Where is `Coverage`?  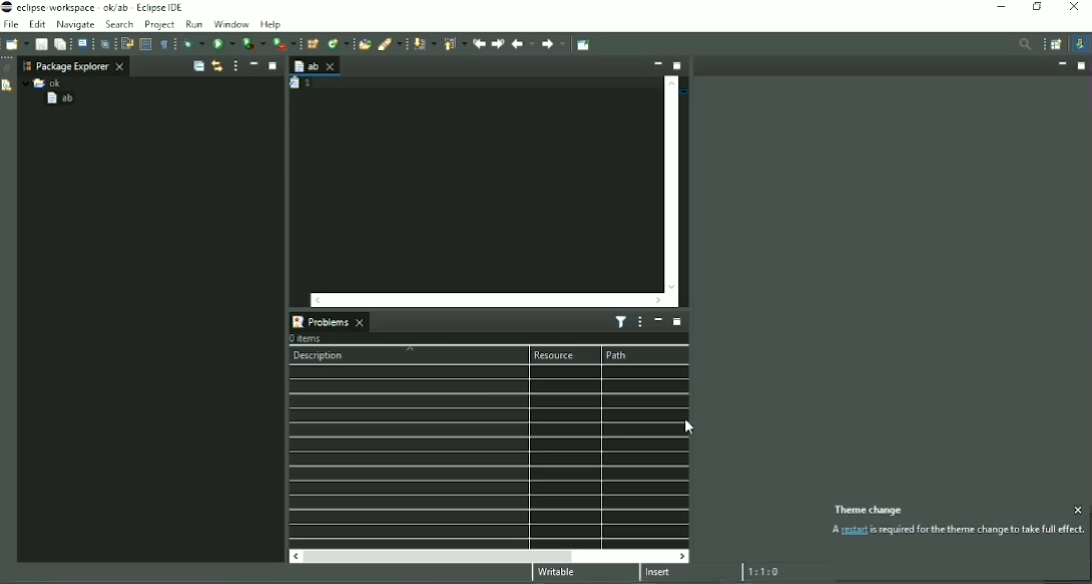 Coverage is located at coordinates (254, 44).